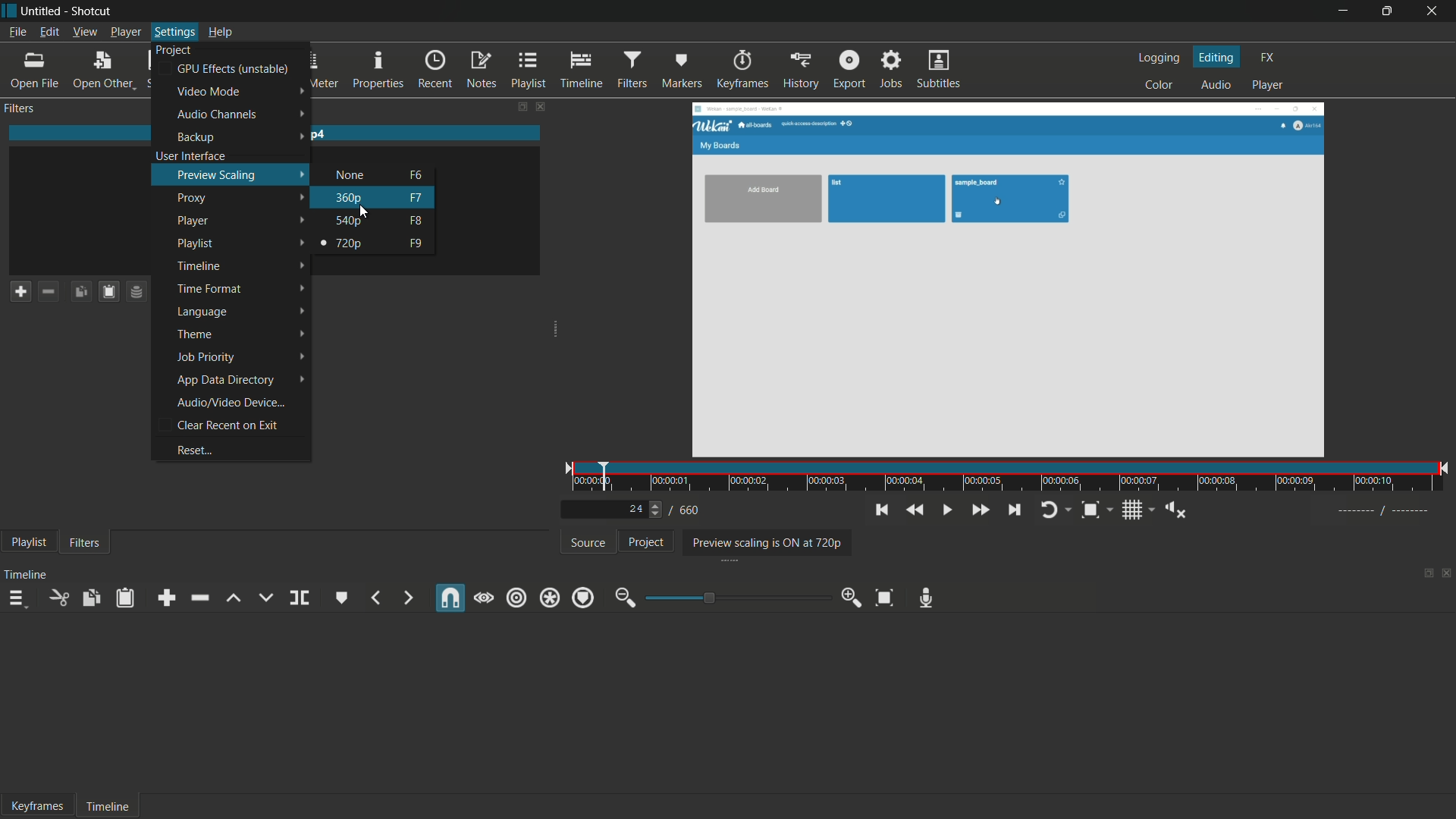 This screenshot has width=1456, height=819. Describe the element at coordinates (198, 266) in the screenshot. I see `timeline` at that location.